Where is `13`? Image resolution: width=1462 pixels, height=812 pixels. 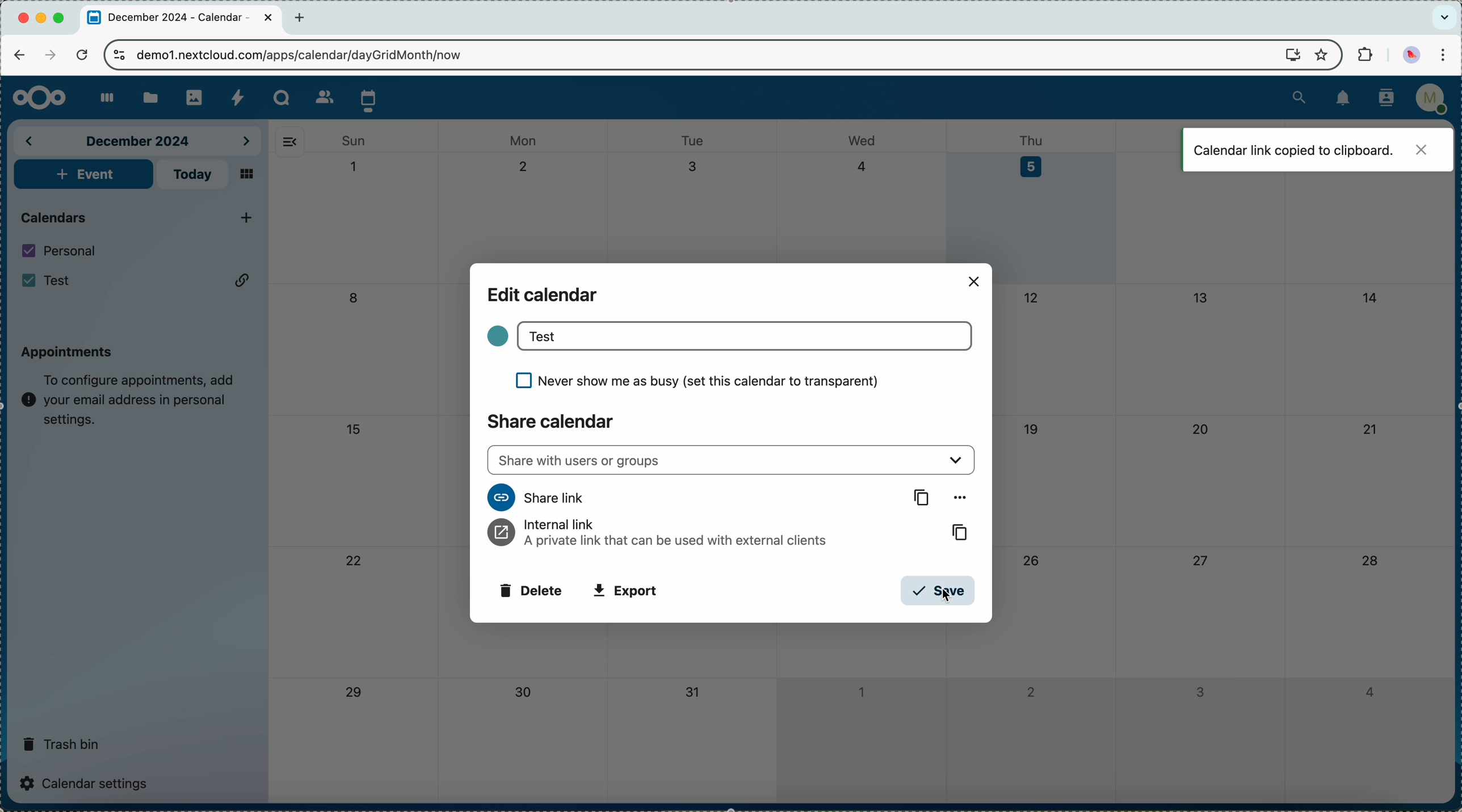 13 is located at coordinates (1200, 297).